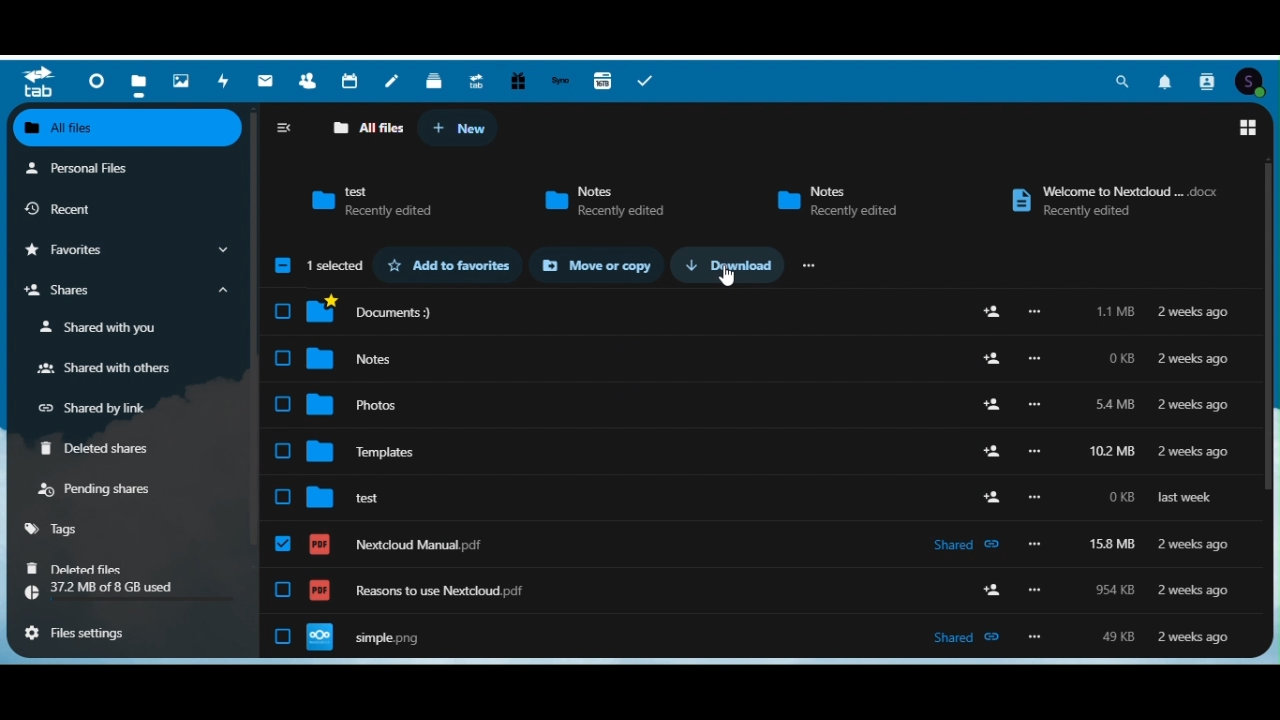  What do you see at coordinates (1209, 81) in the screenshot?
I see `Contacts` at bounding box center [1209, 81].